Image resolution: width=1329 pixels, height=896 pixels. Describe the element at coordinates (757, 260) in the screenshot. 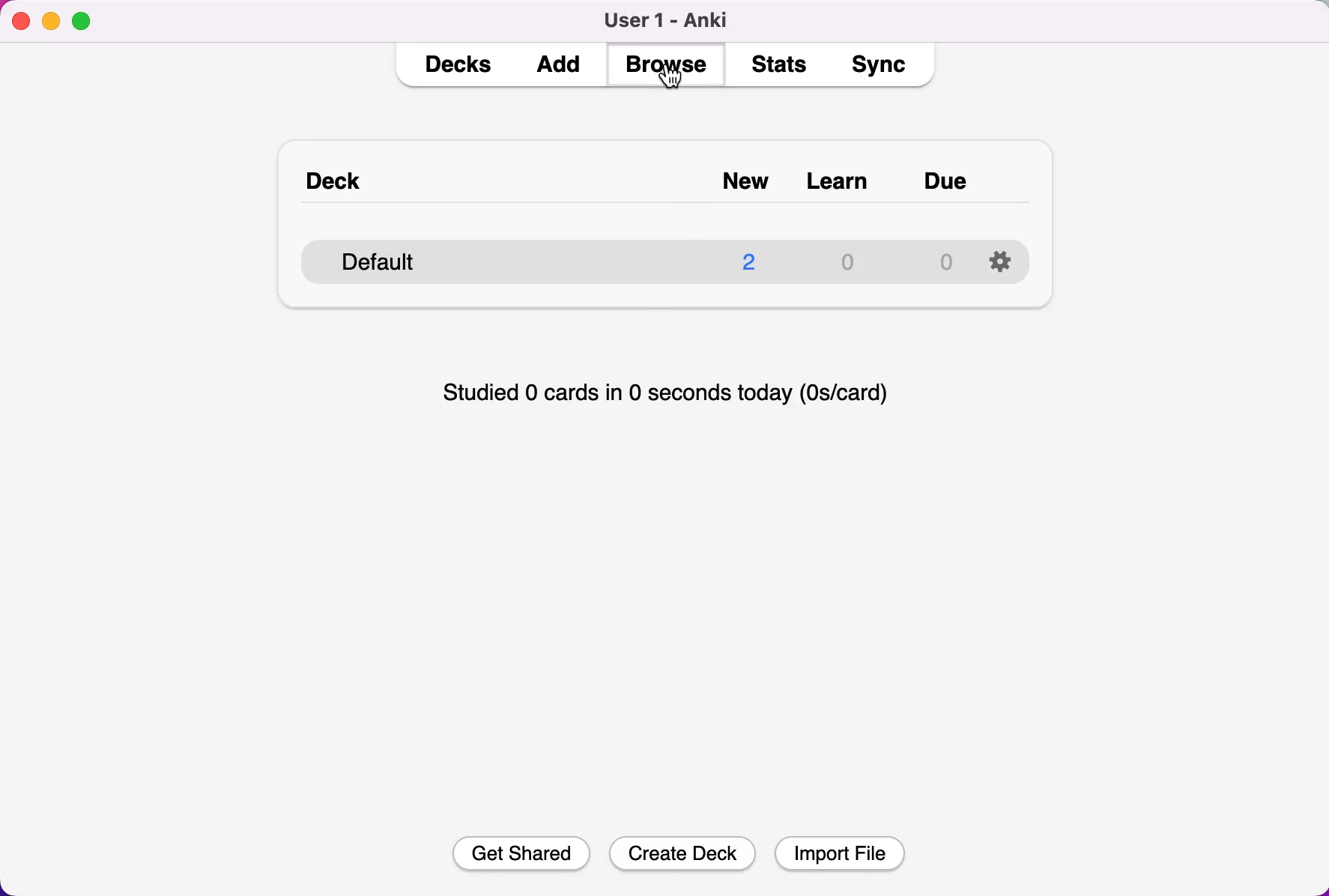

I see `new quantity` at that location.